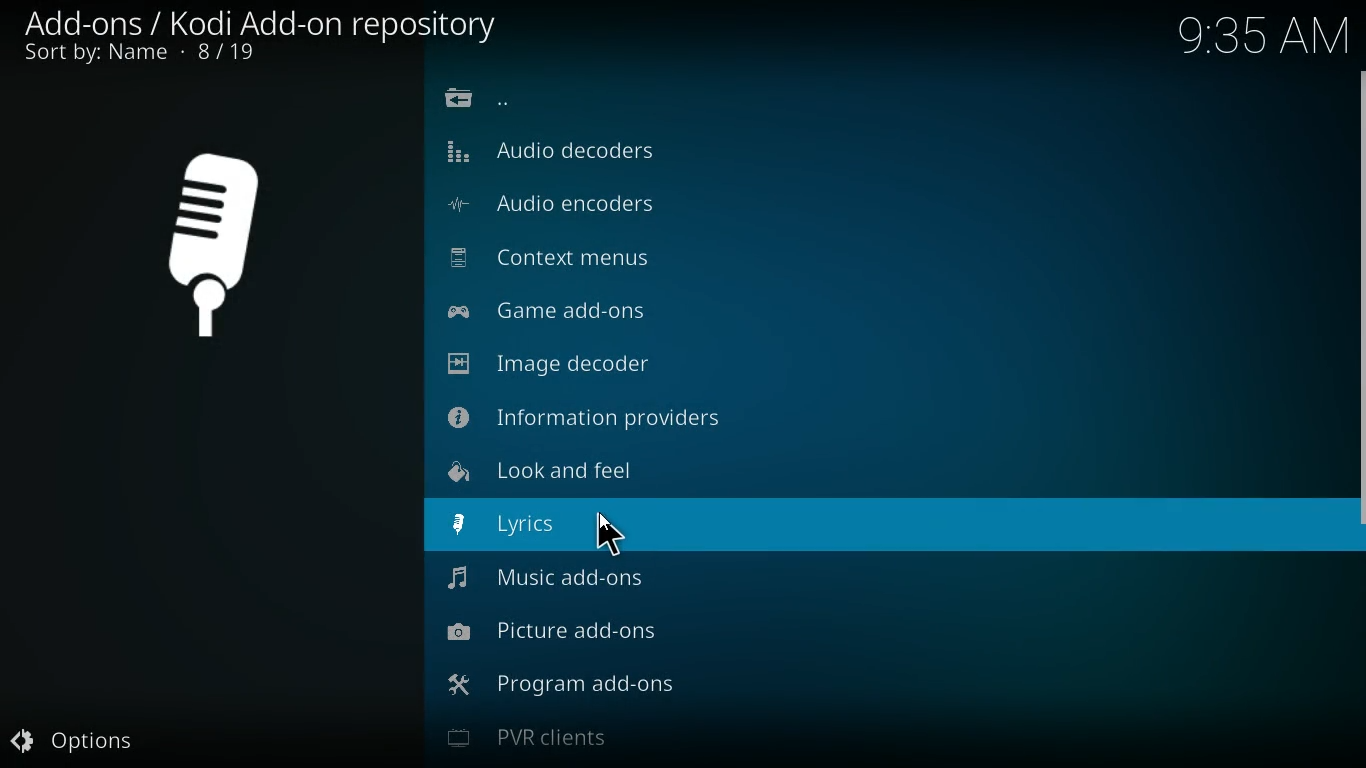  I want to click on audio decoders, so click(581, 151).